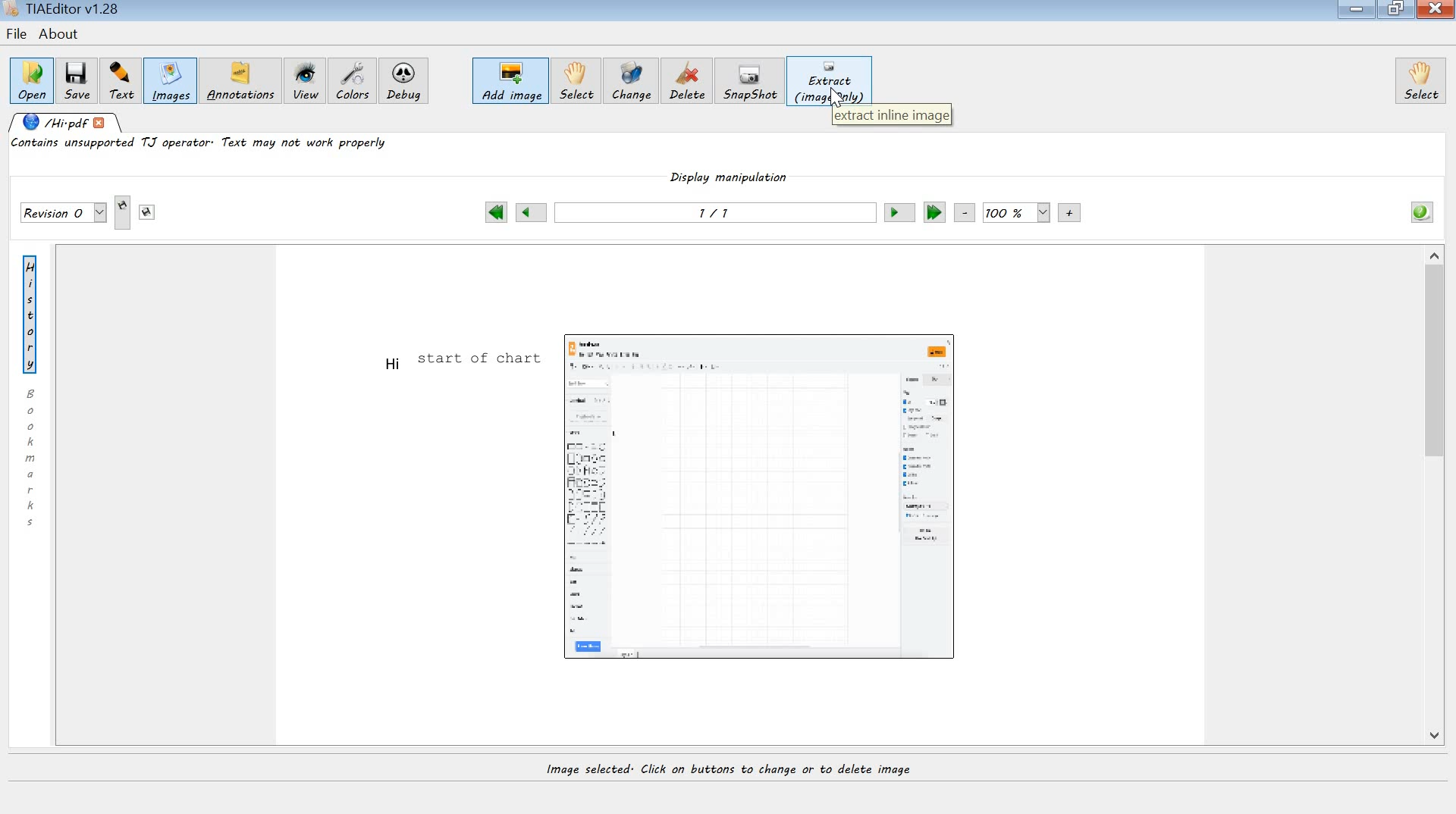 The width and height of the screenshot is (1456, 814). Describe the element at coordinates (67, 124) in the screenshot. I see `opened pdf` at that location.